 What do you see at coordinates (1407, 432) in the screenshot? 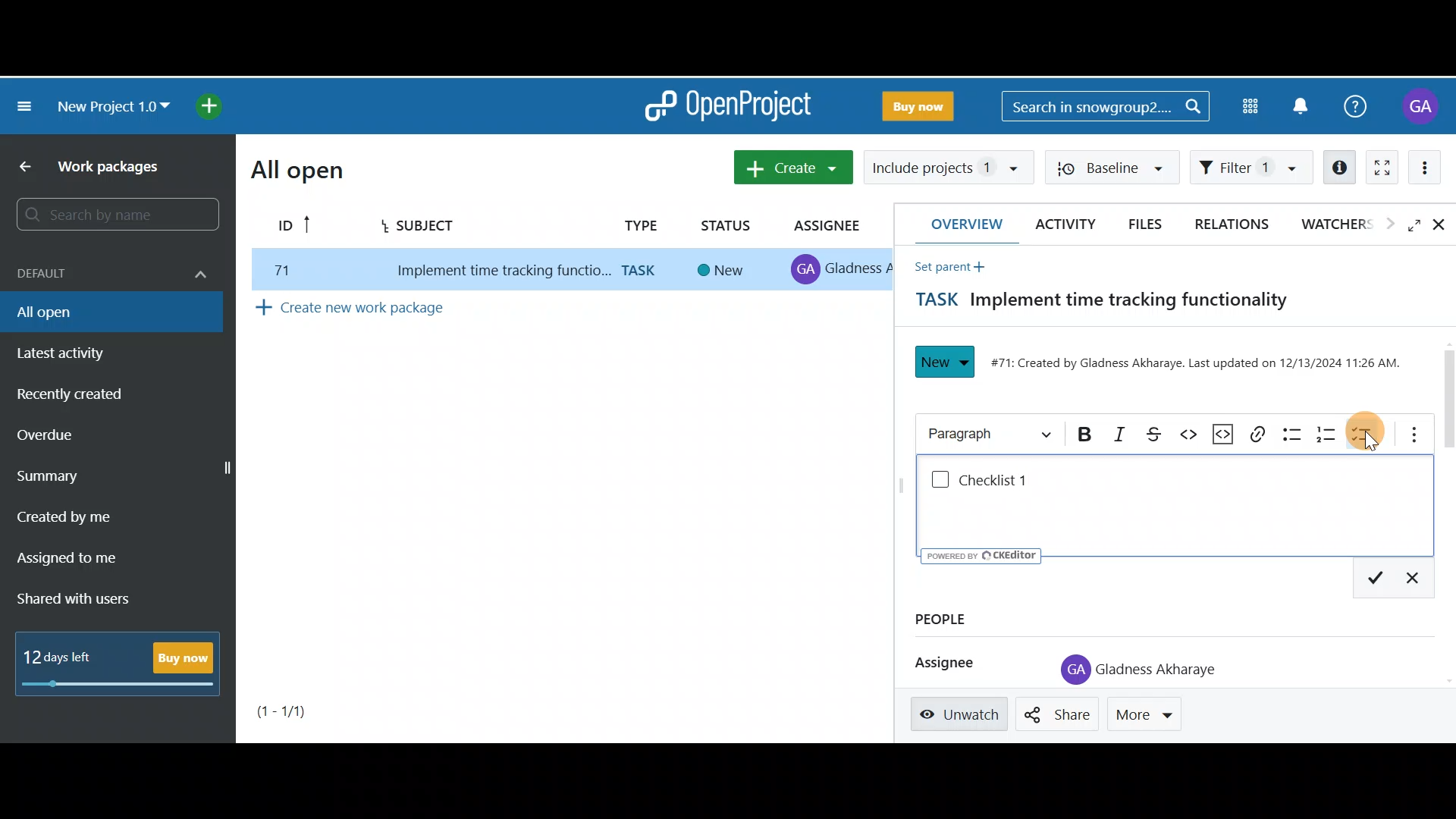
I see `More options` at bounding box center [1407, 432].